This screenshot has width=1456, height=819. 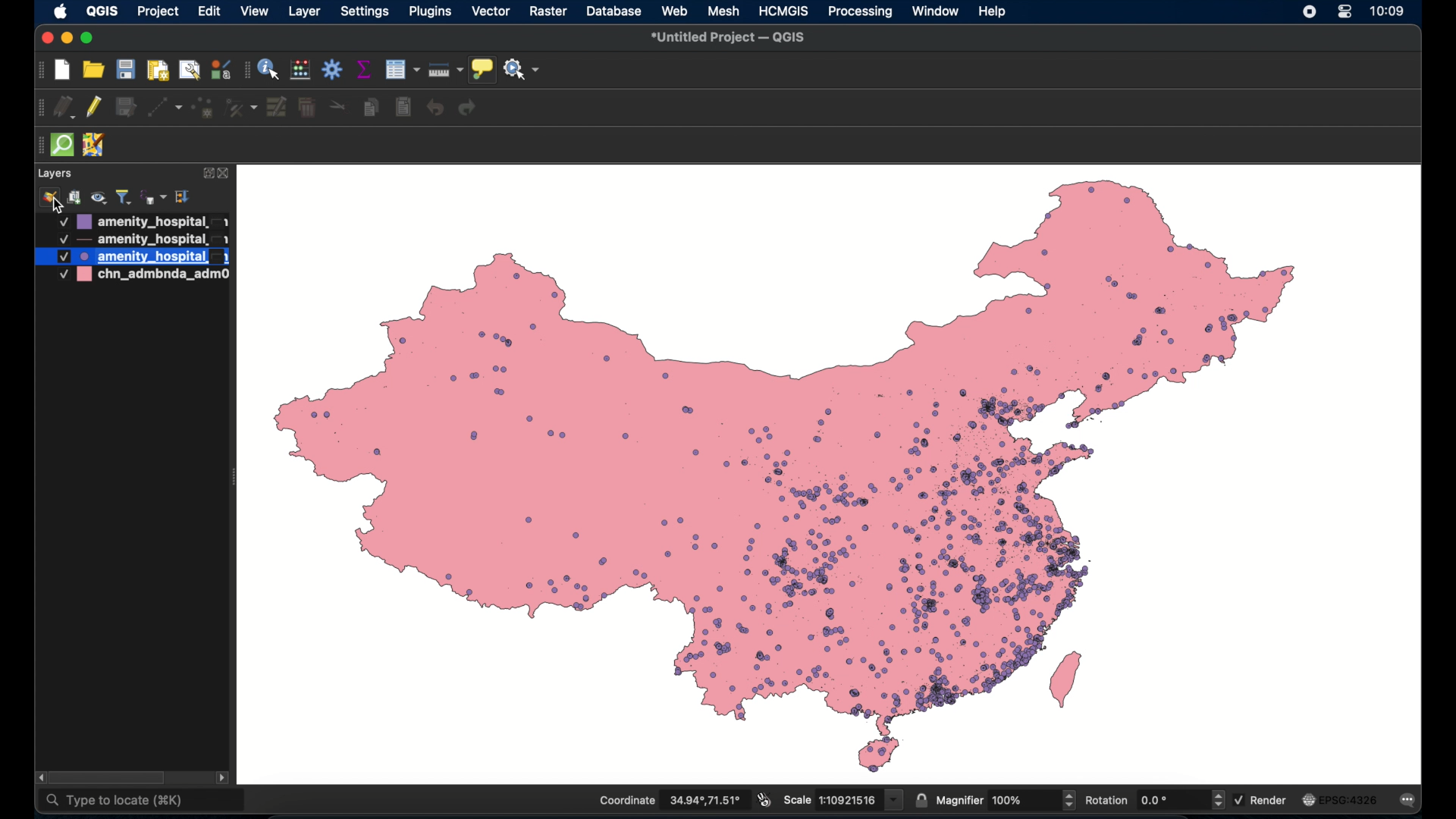 I want to click on window, so click(x=935, y=11).